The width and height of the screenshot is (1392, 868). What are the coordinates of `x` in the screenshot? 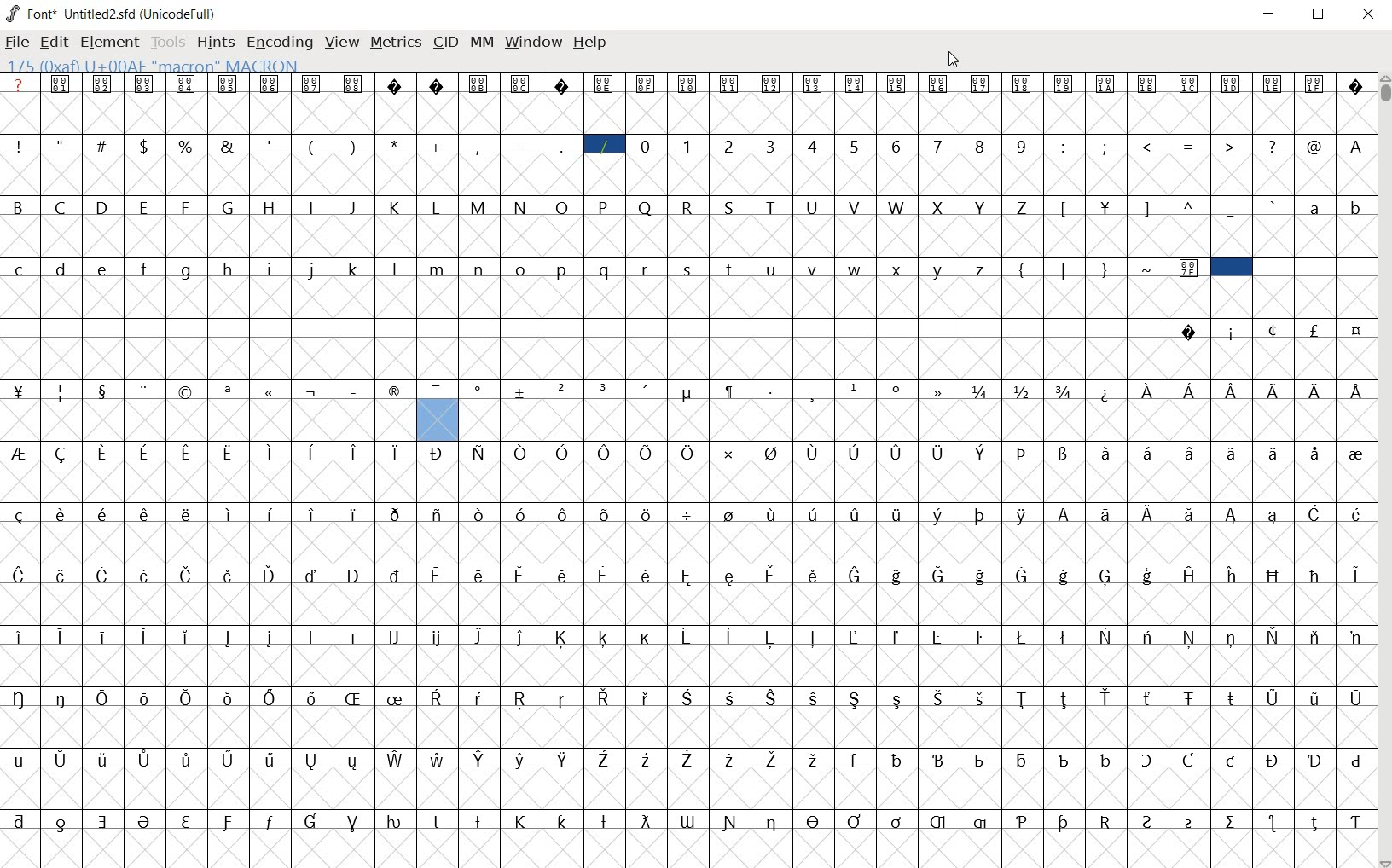 It's located at (898, 268).